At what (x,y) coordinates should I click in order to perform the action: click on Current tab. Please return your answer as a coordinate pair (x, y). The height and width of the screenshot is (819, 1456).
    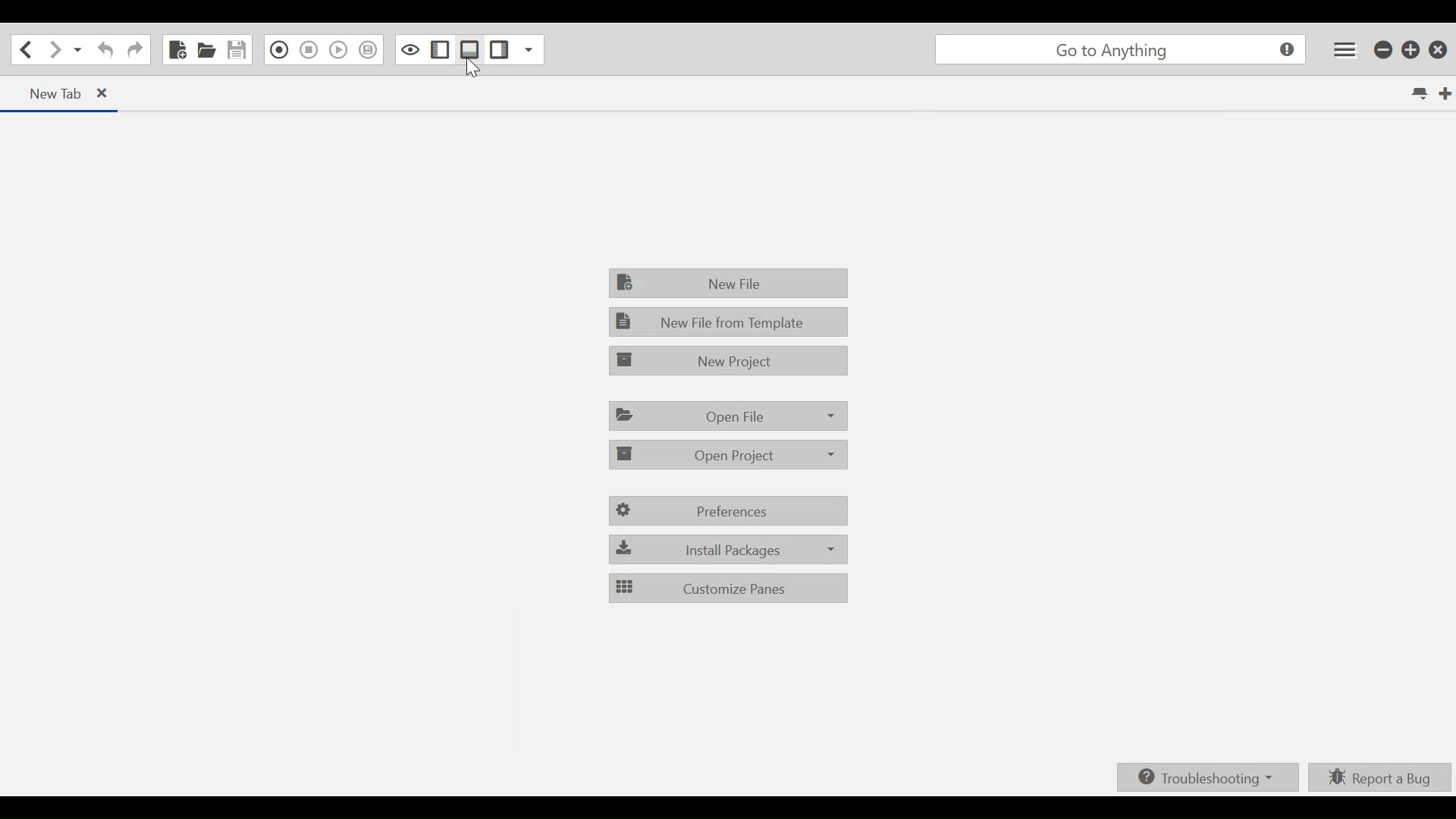
    Looking at the image, I should click on (58, 93).